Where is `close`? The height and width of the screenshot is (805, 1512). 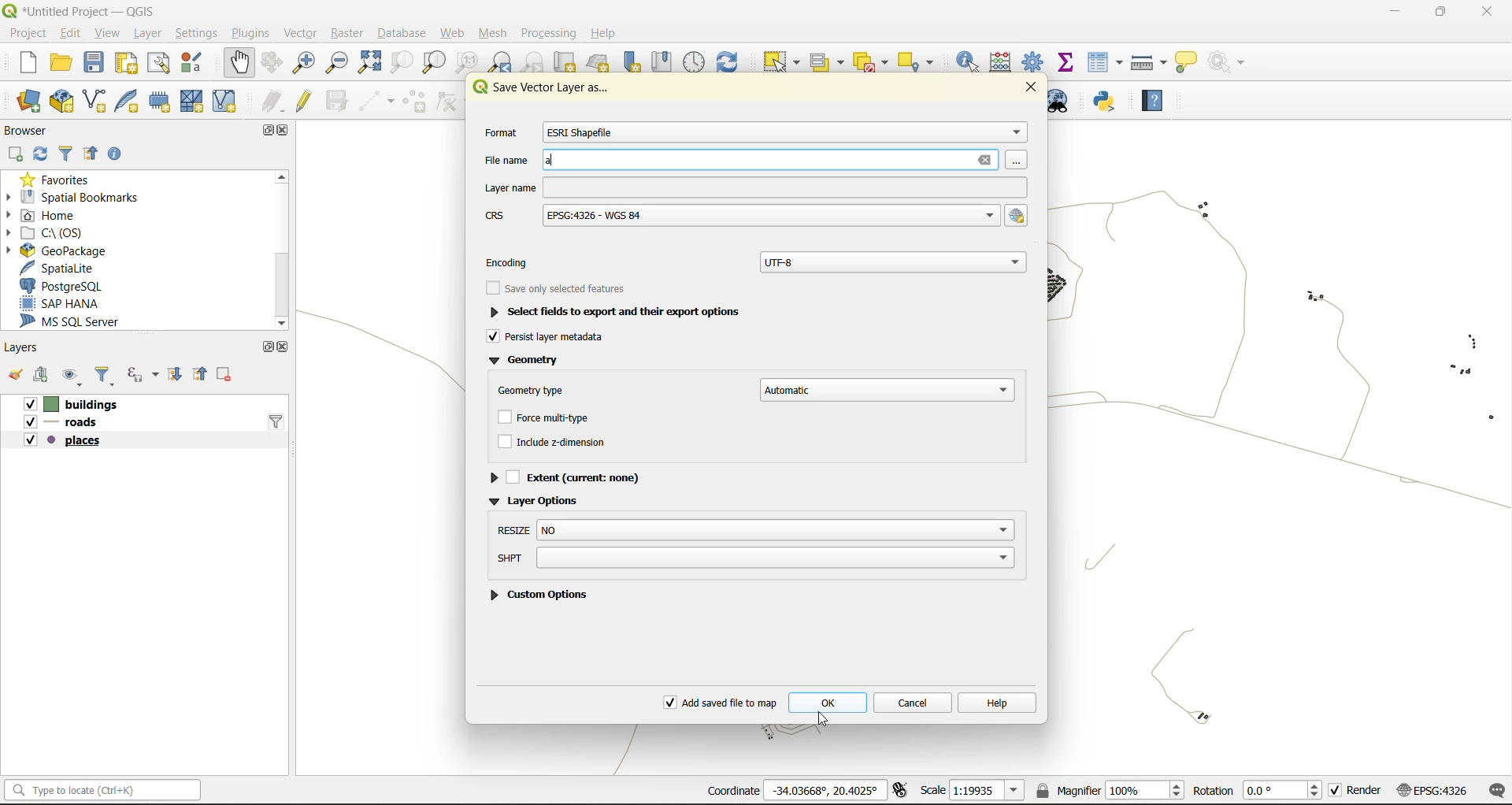 close is located at coordinates (283, 349).